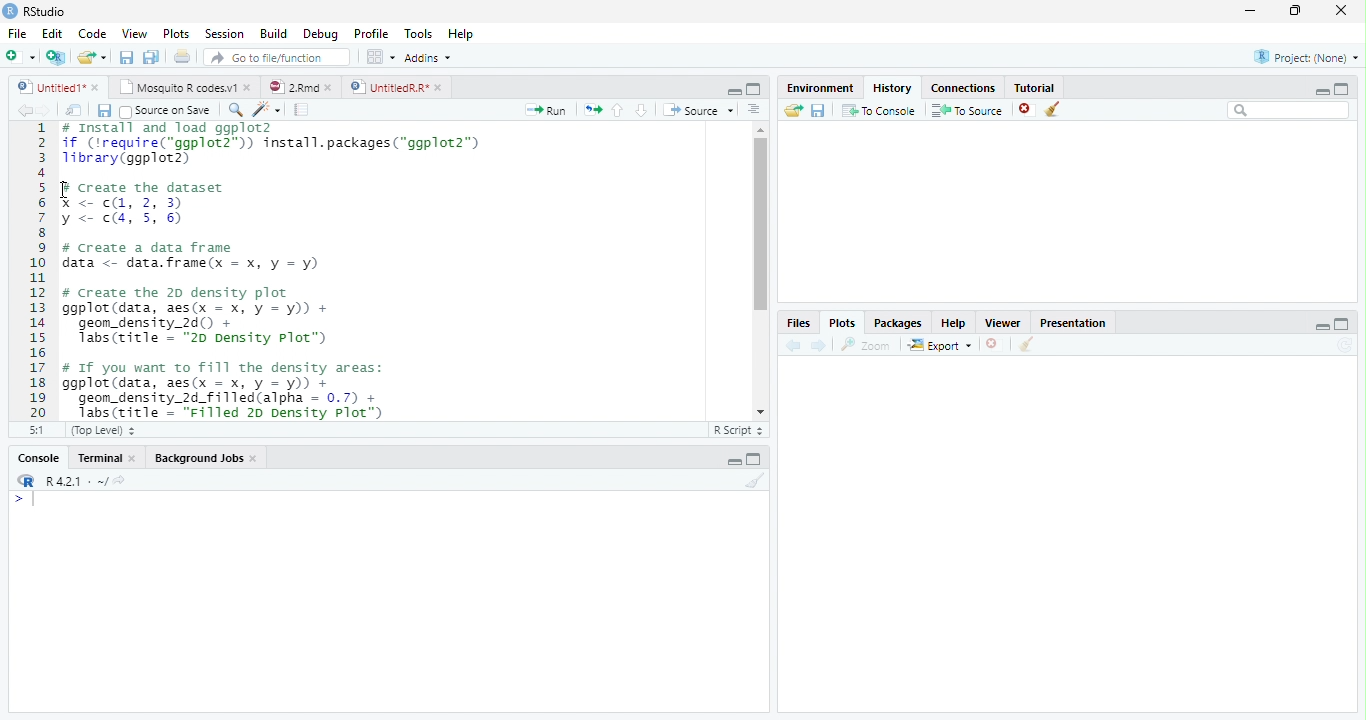  Describe the element at coordinates (641, 110) in the screenshot. I see `down` at that location.